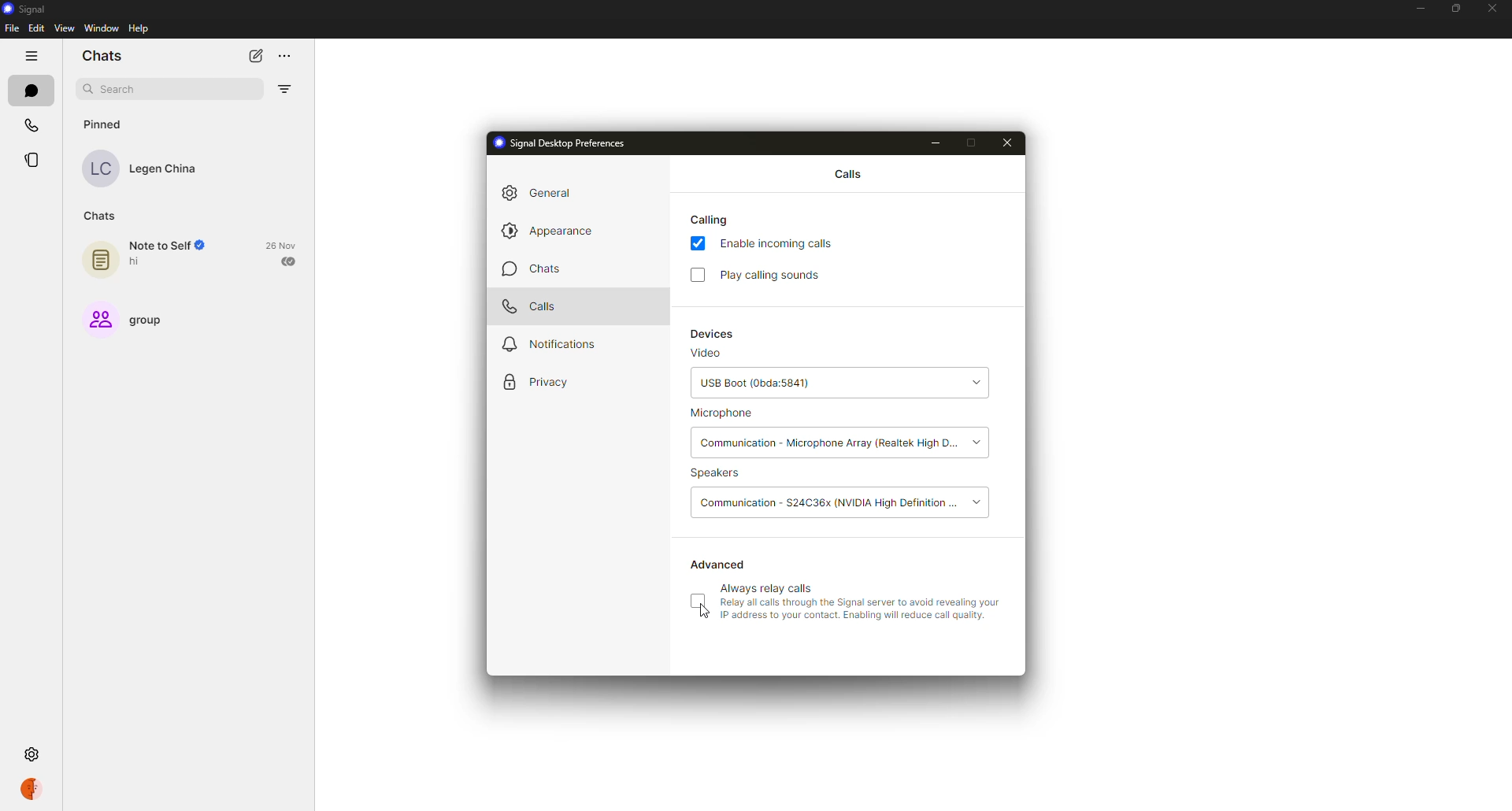 The height and width of the screenshot is (811, 1512). I want to click on devices, so click(713, 335).